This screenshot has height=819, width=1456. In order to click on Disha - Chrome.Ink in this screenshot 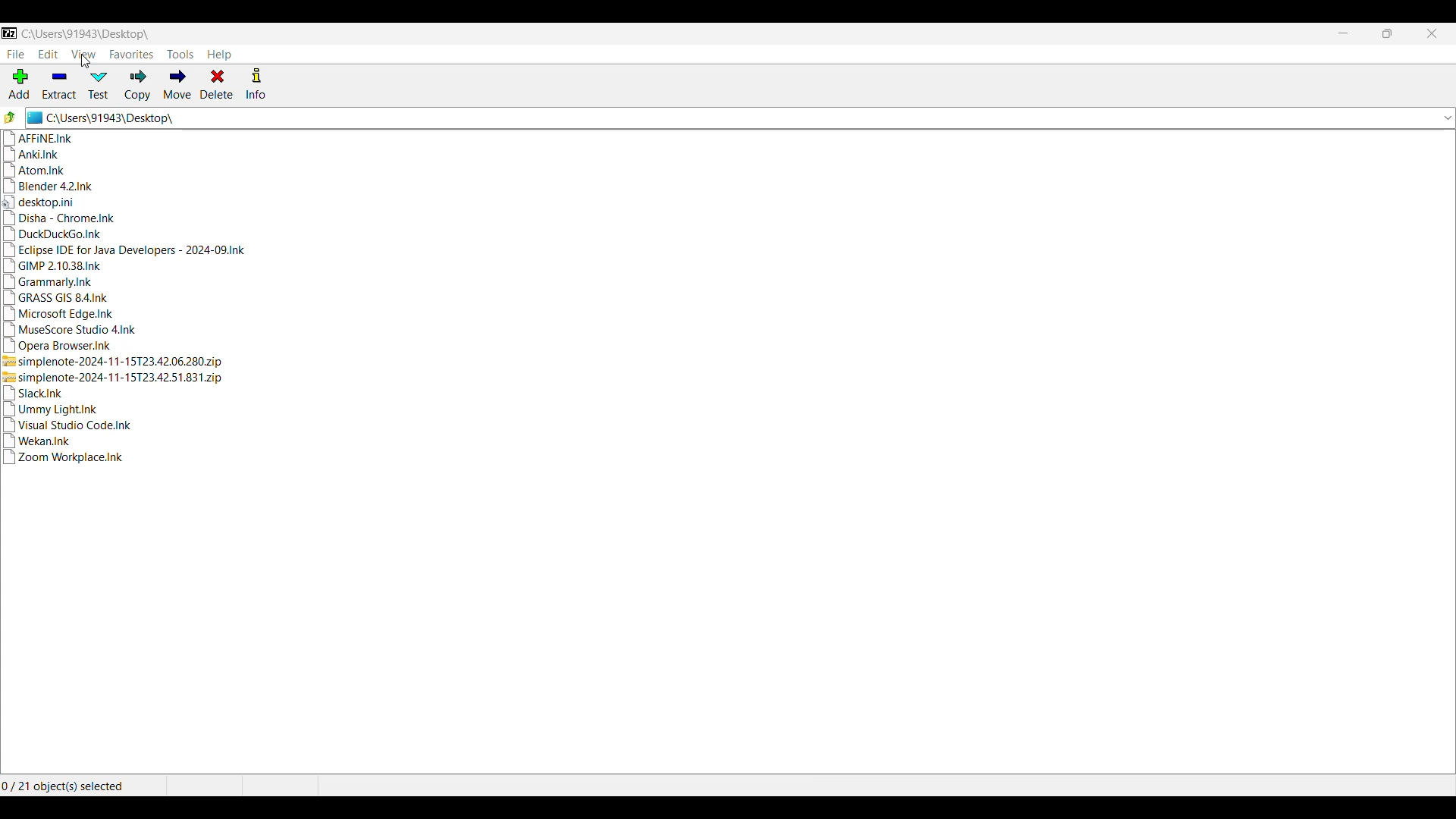, I will do `click(59, 218)`.